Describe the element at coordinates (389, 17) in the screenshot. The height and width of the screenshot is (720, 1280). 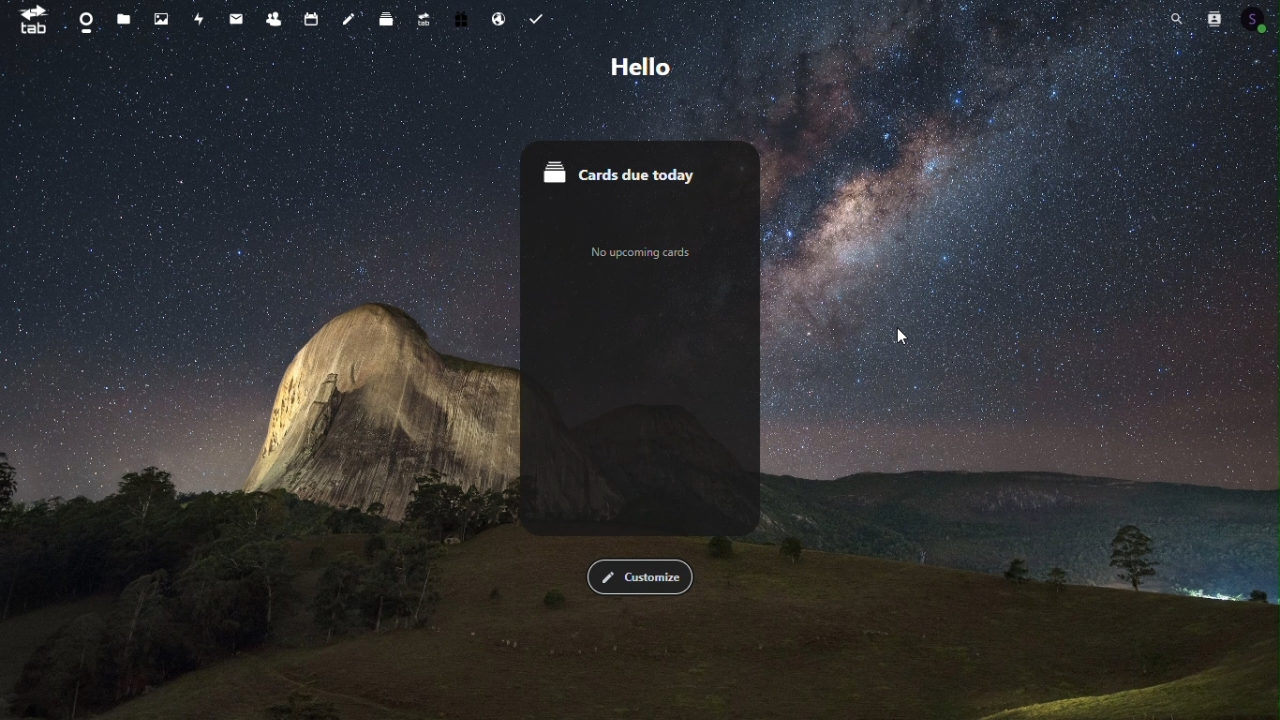
I see `Deck` at that location.